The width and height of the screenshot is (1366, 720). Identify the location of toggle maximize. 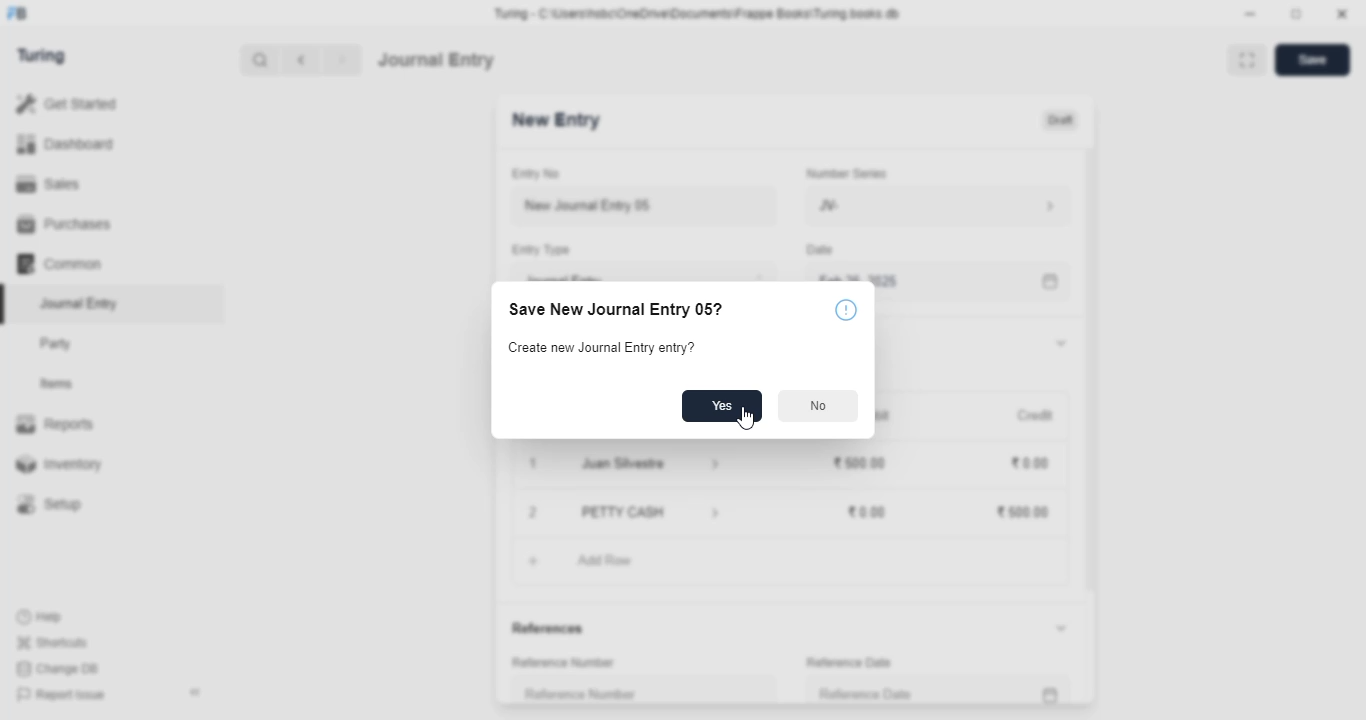
(1296, 14).